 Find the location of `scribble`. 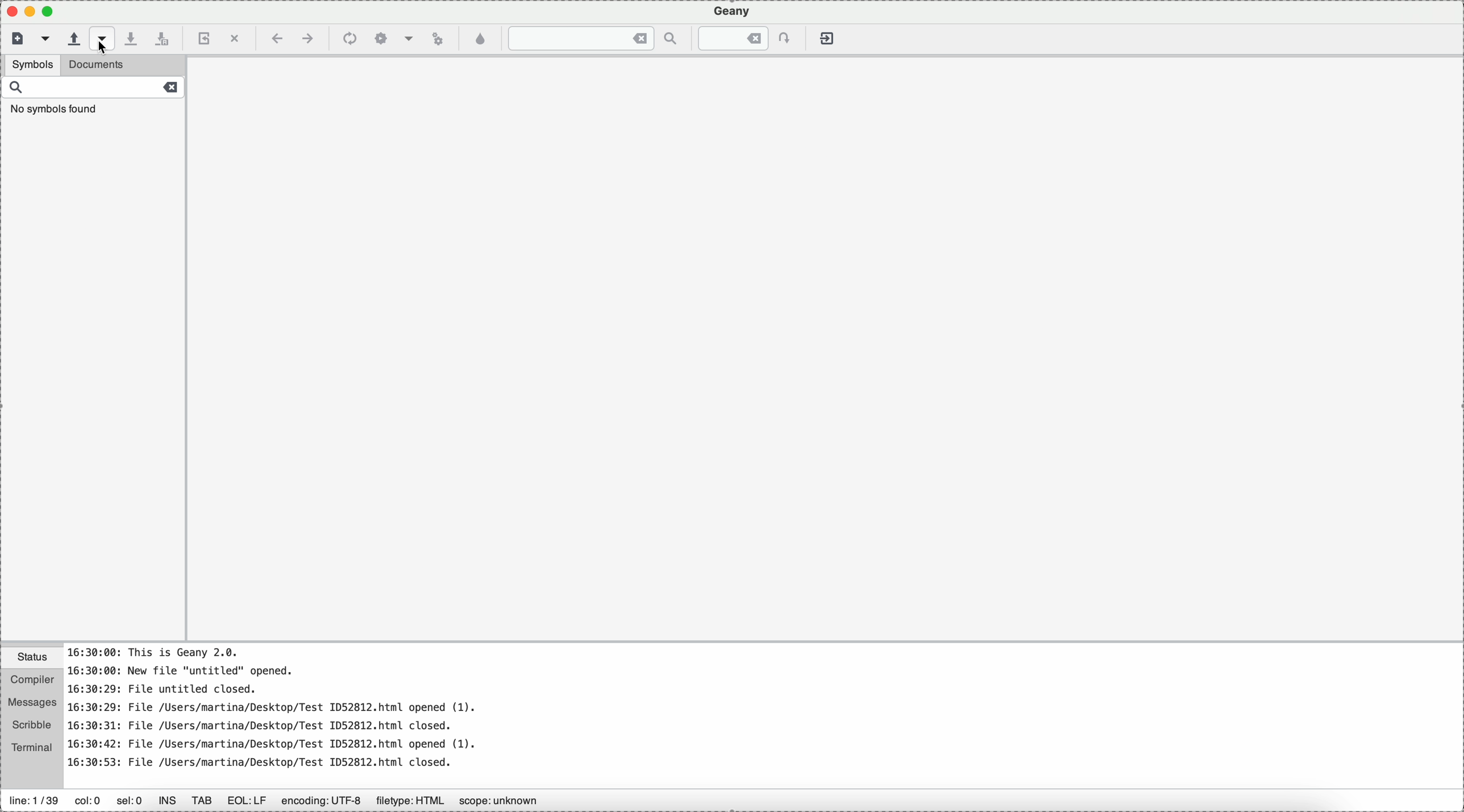

scribble is located at coordinates (32, 726).